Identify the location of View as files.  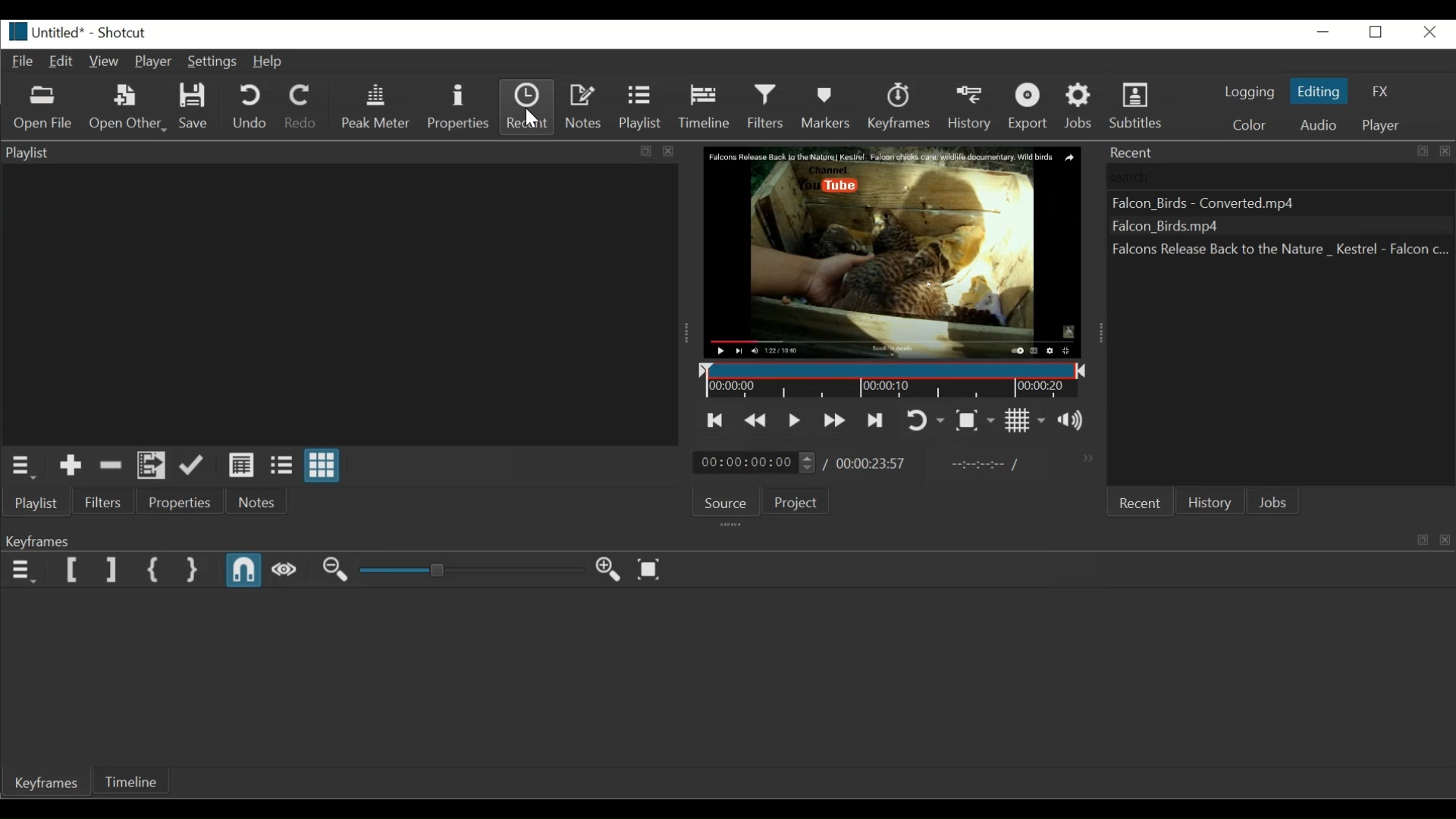
(280, 464).